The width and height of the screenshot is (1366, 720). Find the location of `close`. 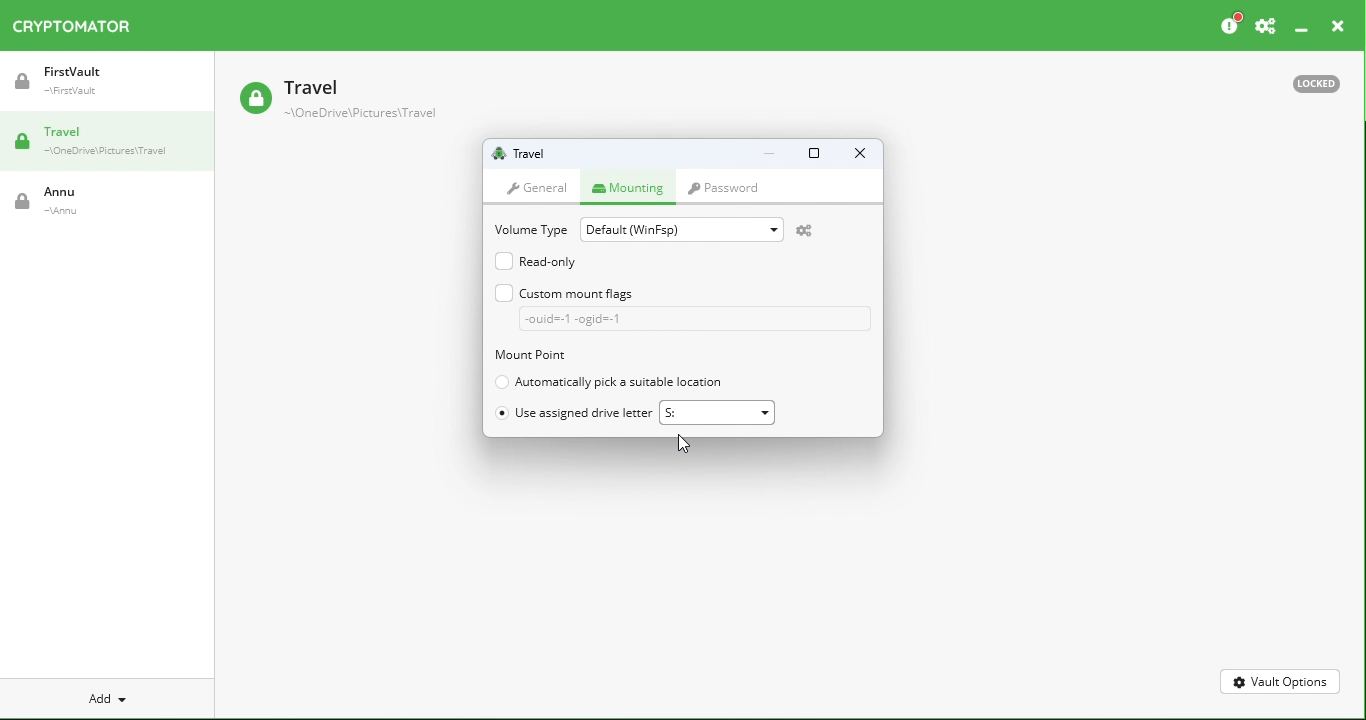

close is located at coordinates (1340, 23).